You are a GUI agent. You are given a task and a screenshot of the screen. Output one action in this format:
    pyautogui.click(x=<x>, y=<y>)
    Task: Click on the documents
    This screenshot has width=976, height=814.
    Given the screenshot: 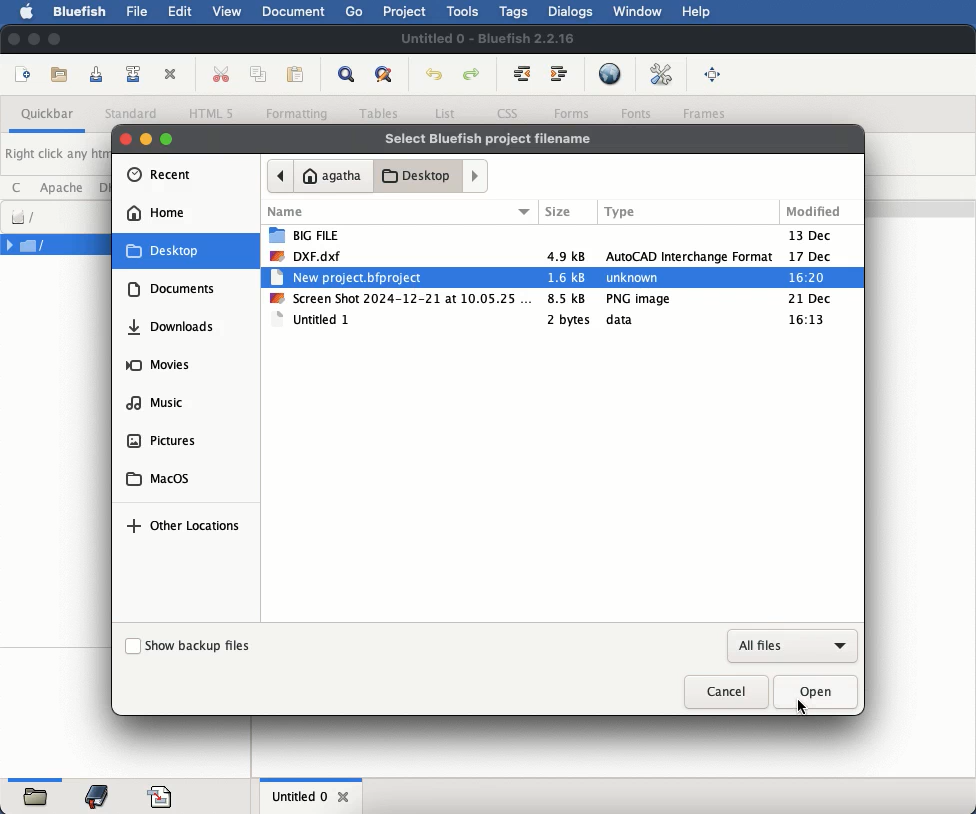 What is the action you would take?
    pyautogui.click(x=173, y=289)
    